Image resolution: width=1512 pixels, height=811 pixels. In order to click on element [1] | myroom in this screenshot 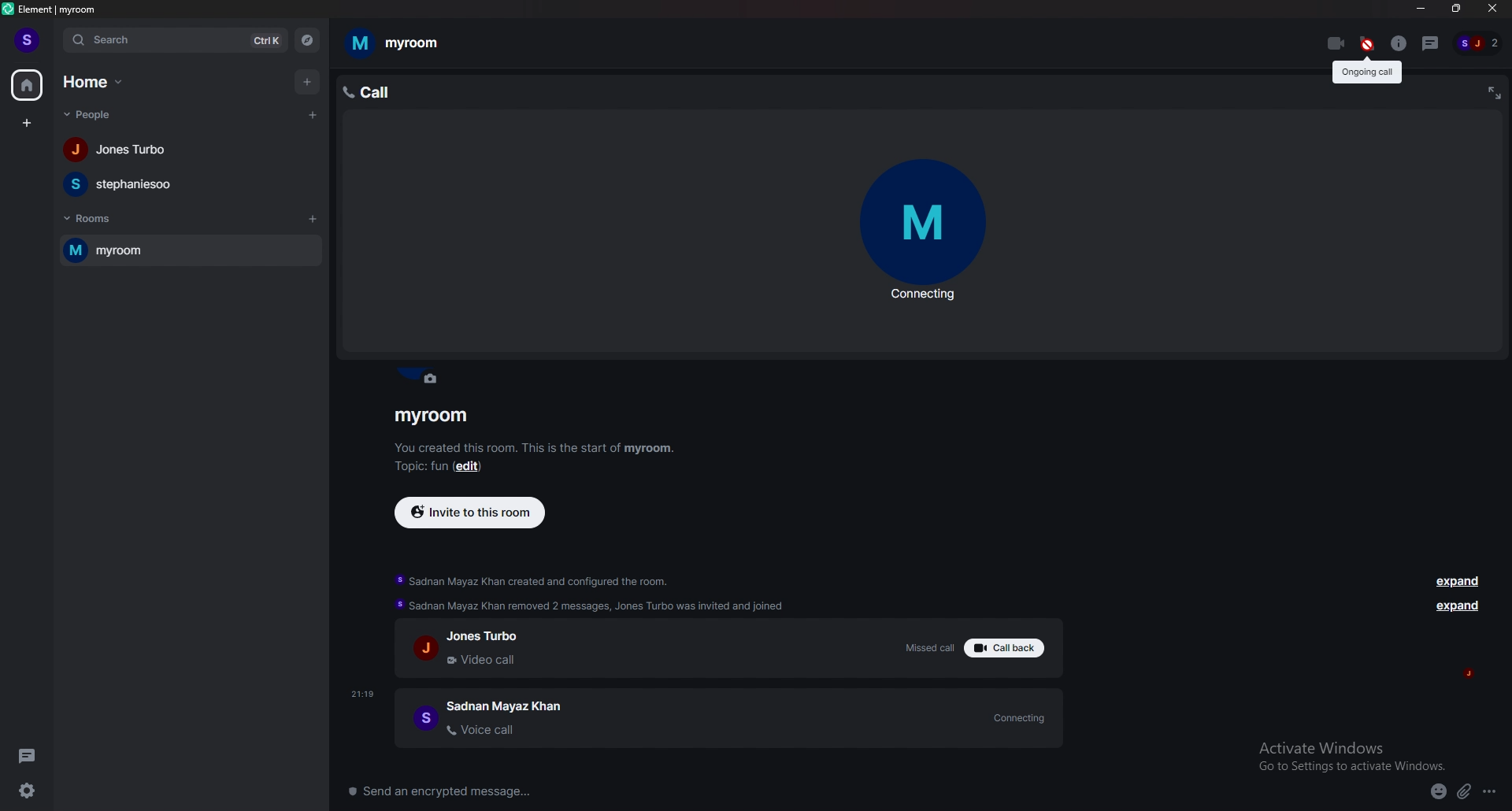, I will do `click(69, 9)`.